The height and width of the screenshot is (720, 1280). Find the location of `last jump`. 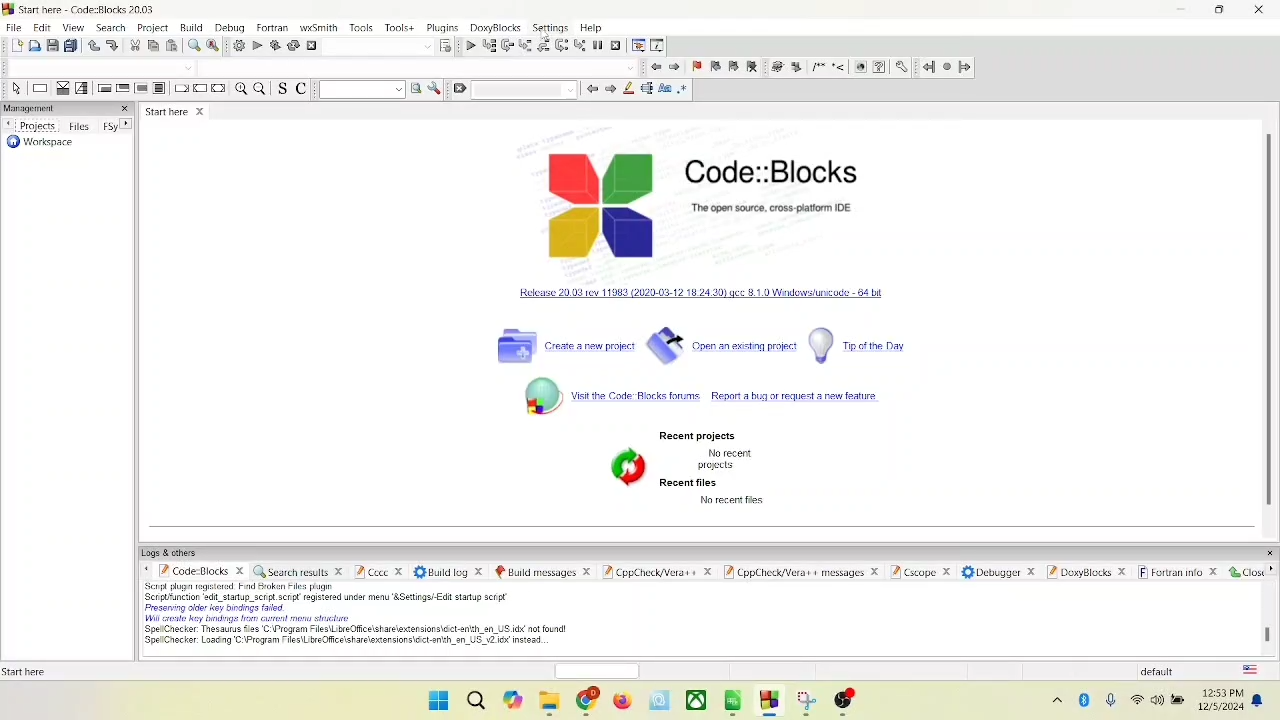

last jump is located at coordinates (948, 67).